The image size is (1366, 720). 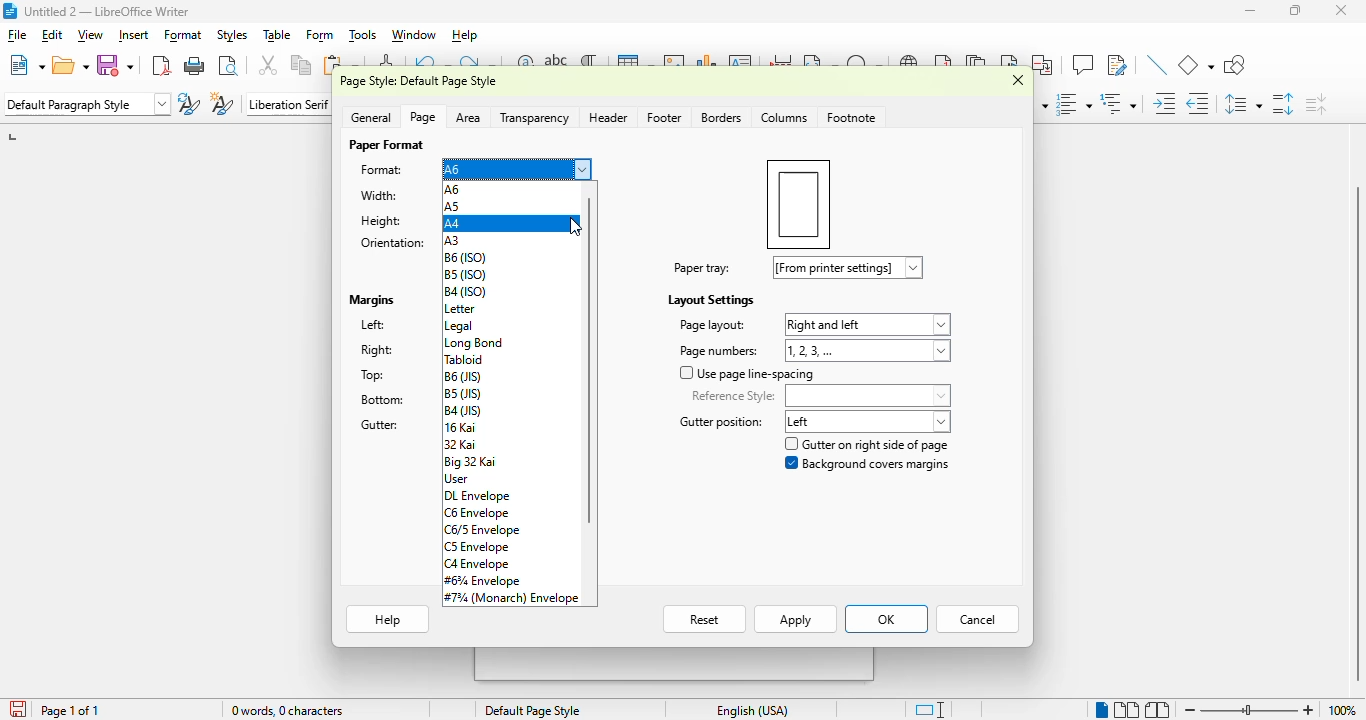 I want to click on B5 (JIS), so click(x=464, y=394).